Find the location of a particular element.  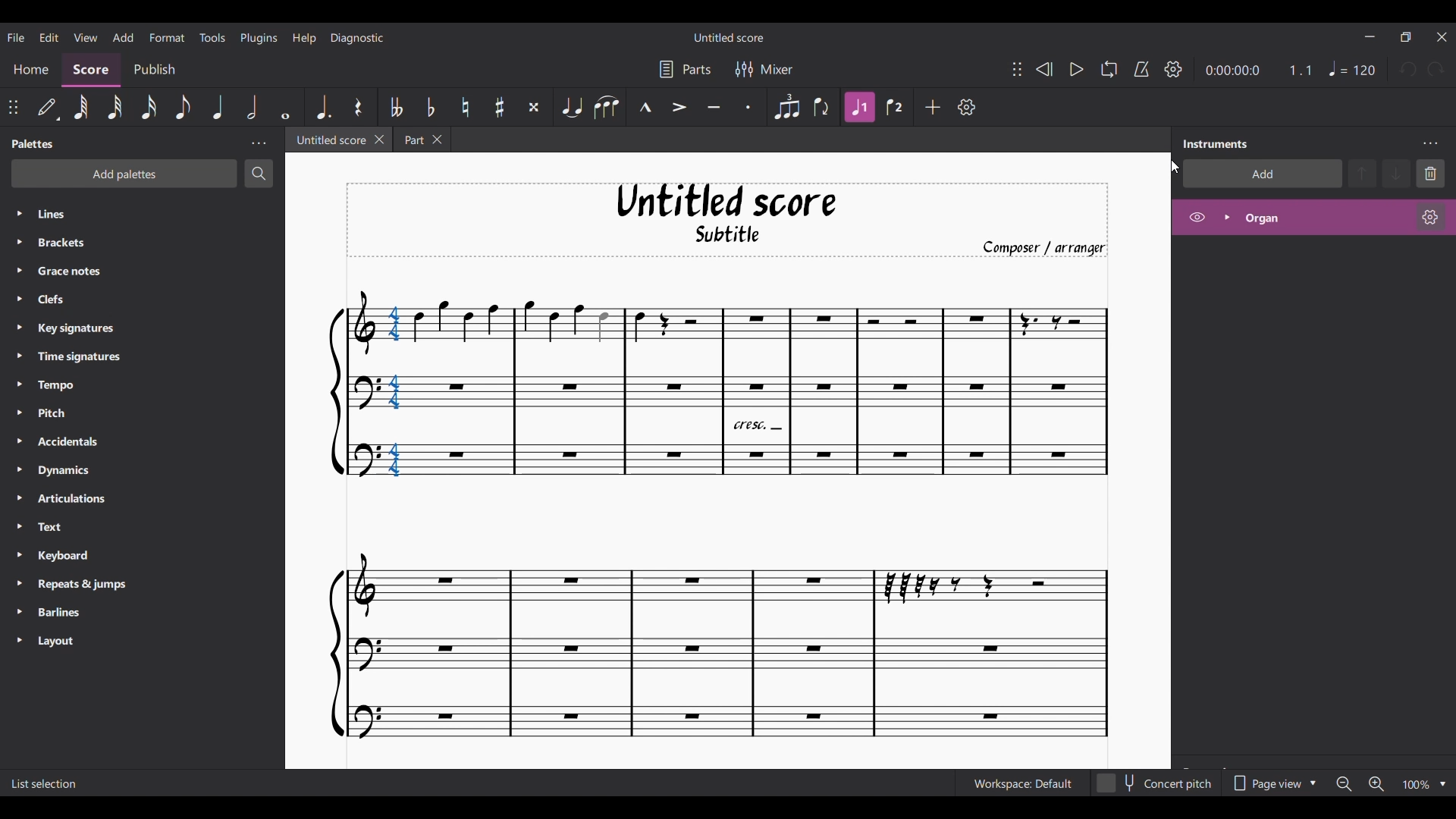

Marcato is located at coordinates (645, 107).